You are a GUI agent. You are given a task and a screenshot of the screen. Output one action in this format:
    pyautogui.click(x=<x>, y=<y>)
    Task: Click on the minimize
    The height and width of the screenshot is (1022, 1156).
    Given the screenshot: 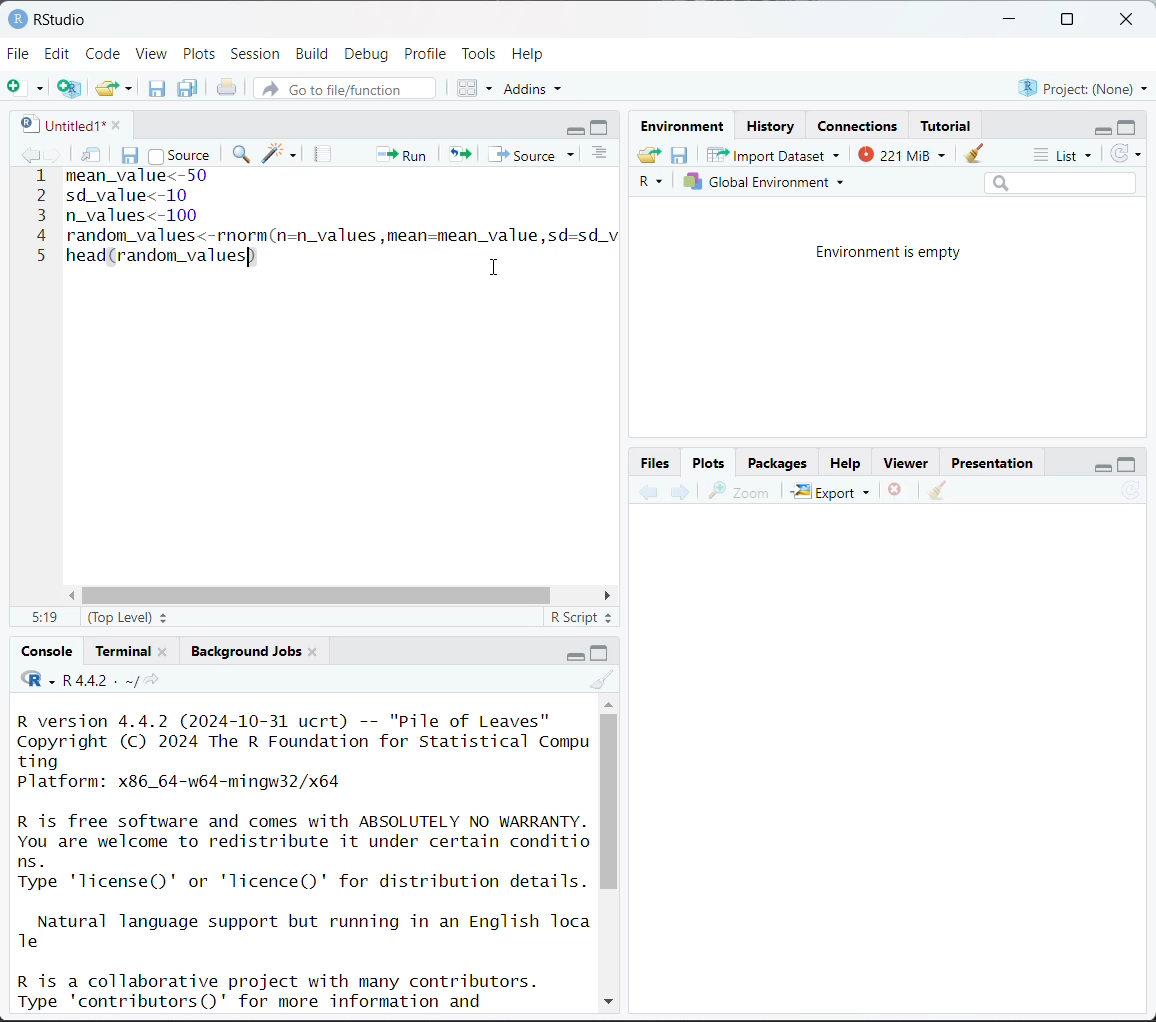 What is the action you would take?
    pyautogui.click(x=571, y=654)
    